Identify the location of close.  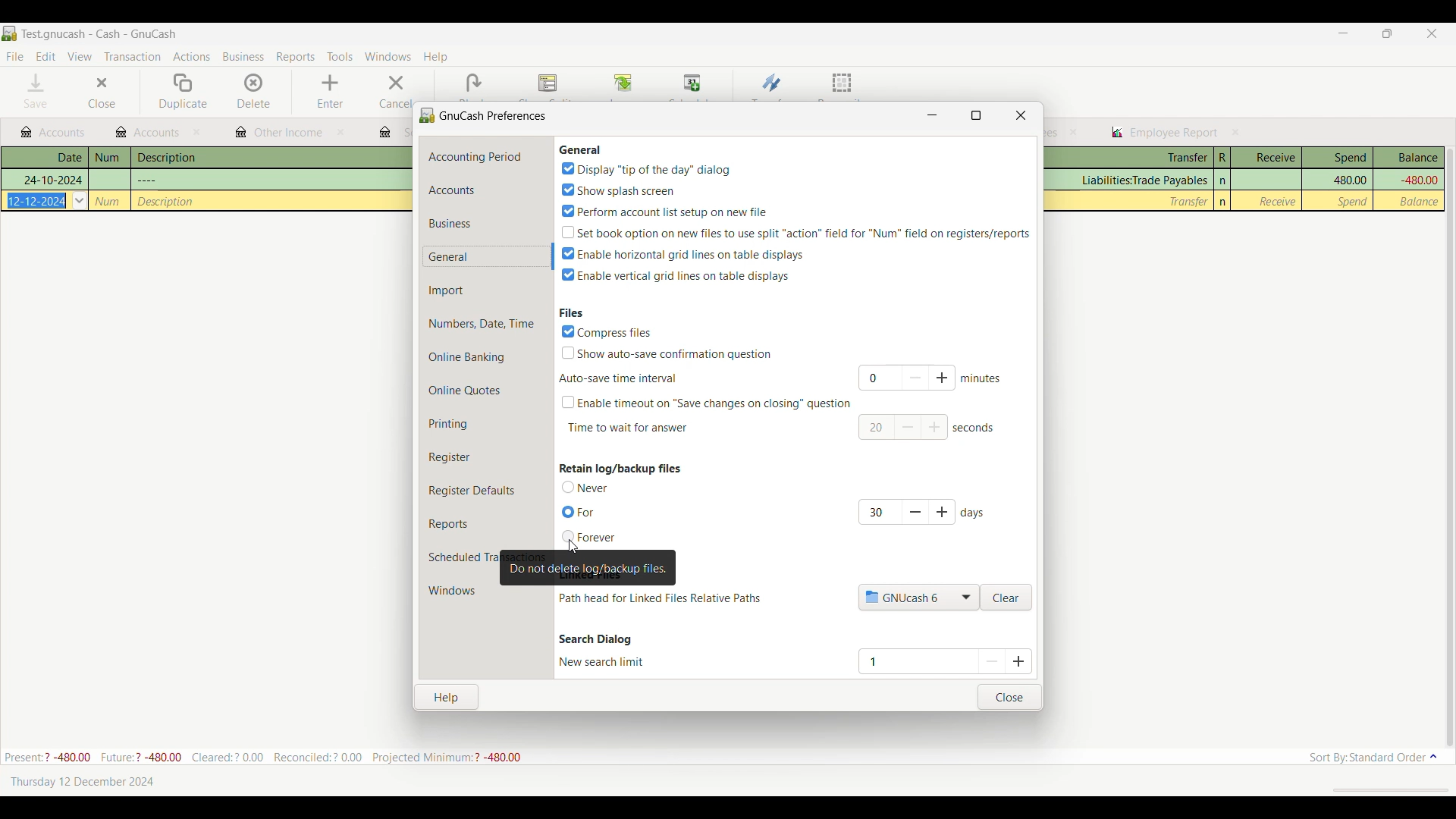
(199, 133).